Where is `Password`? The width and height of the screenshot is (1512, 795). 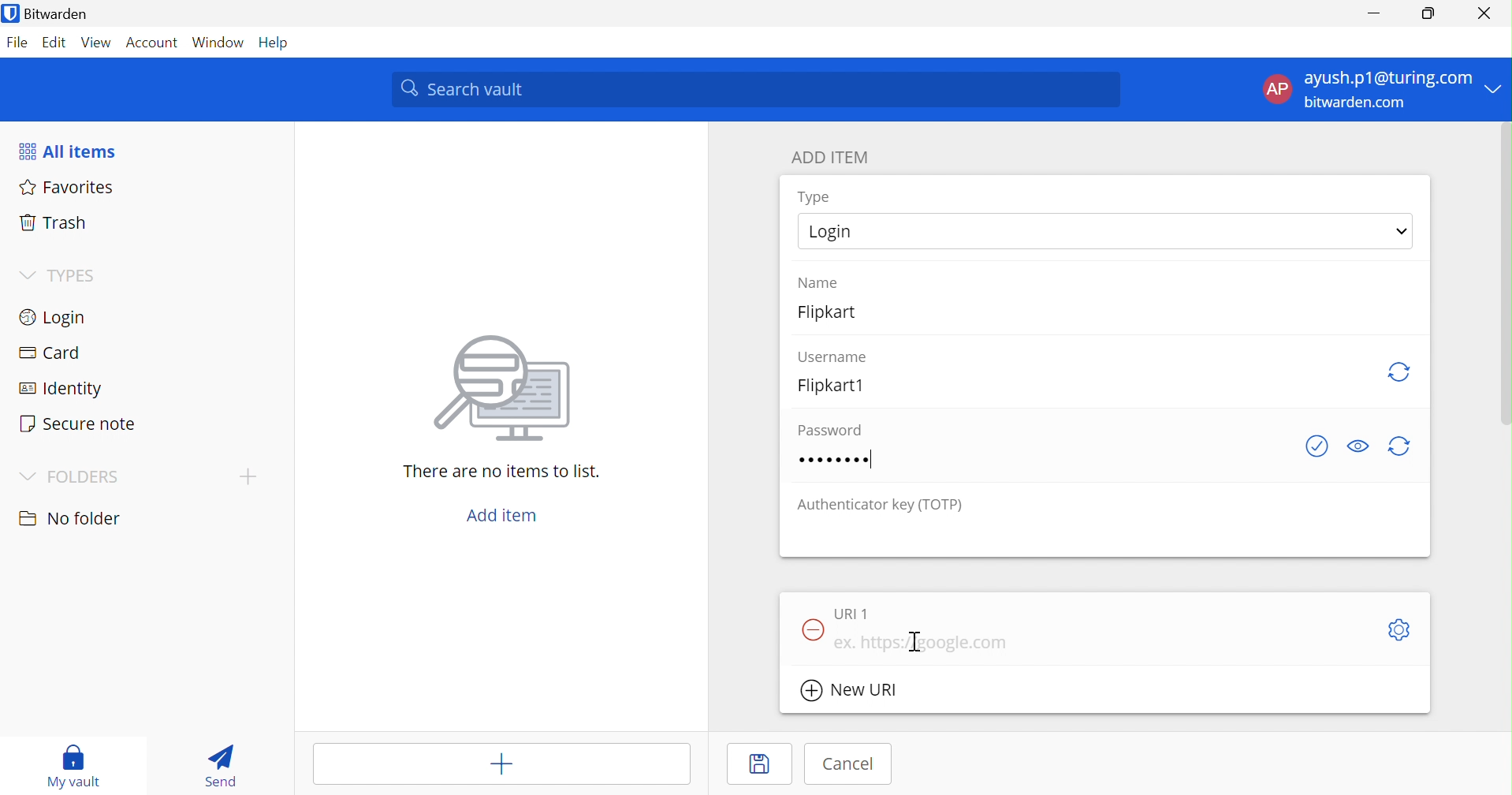 Password is located at coordinates (826, 429).